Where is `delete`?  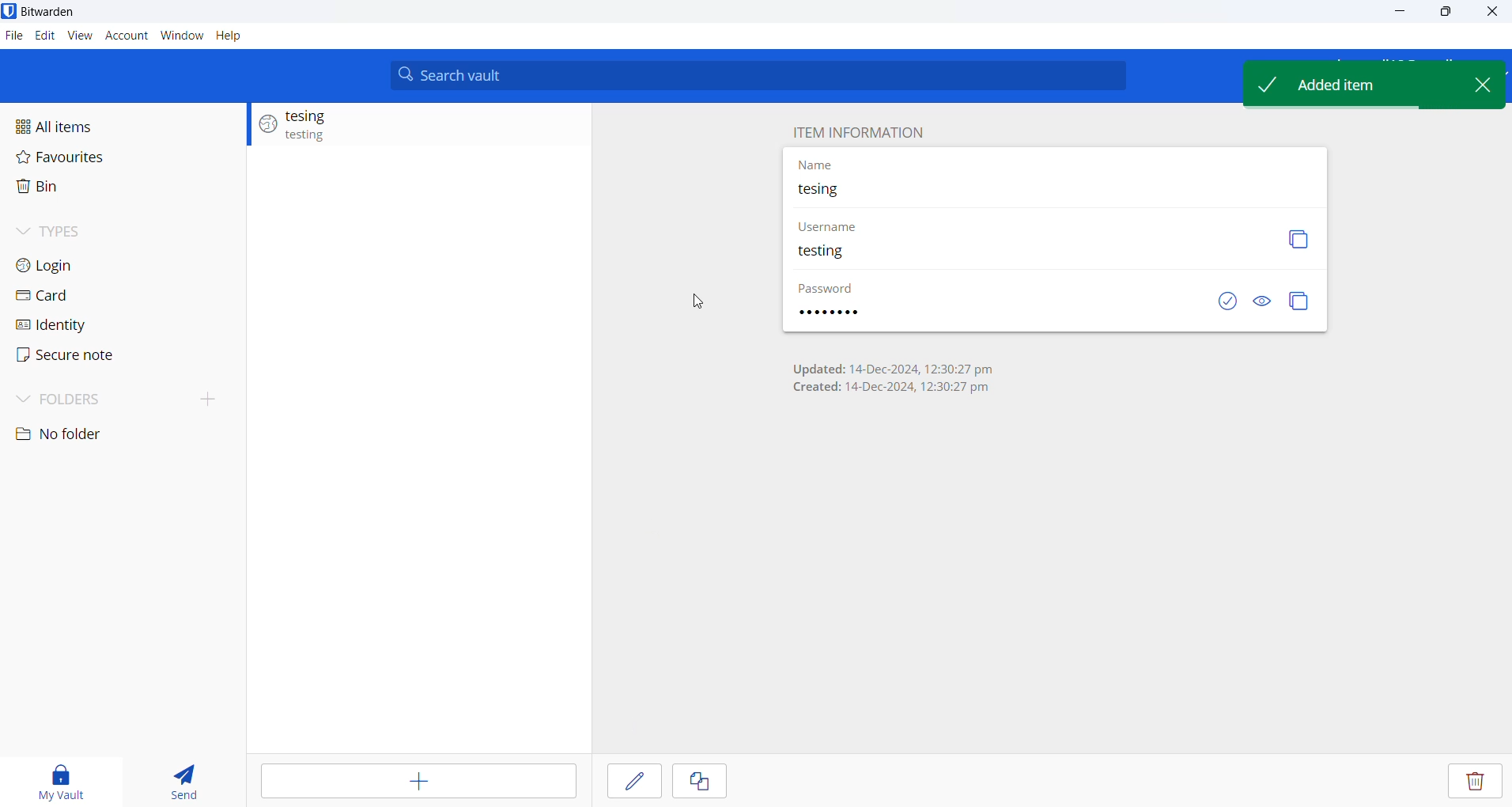 delete is located at coordinates (1472, 779).